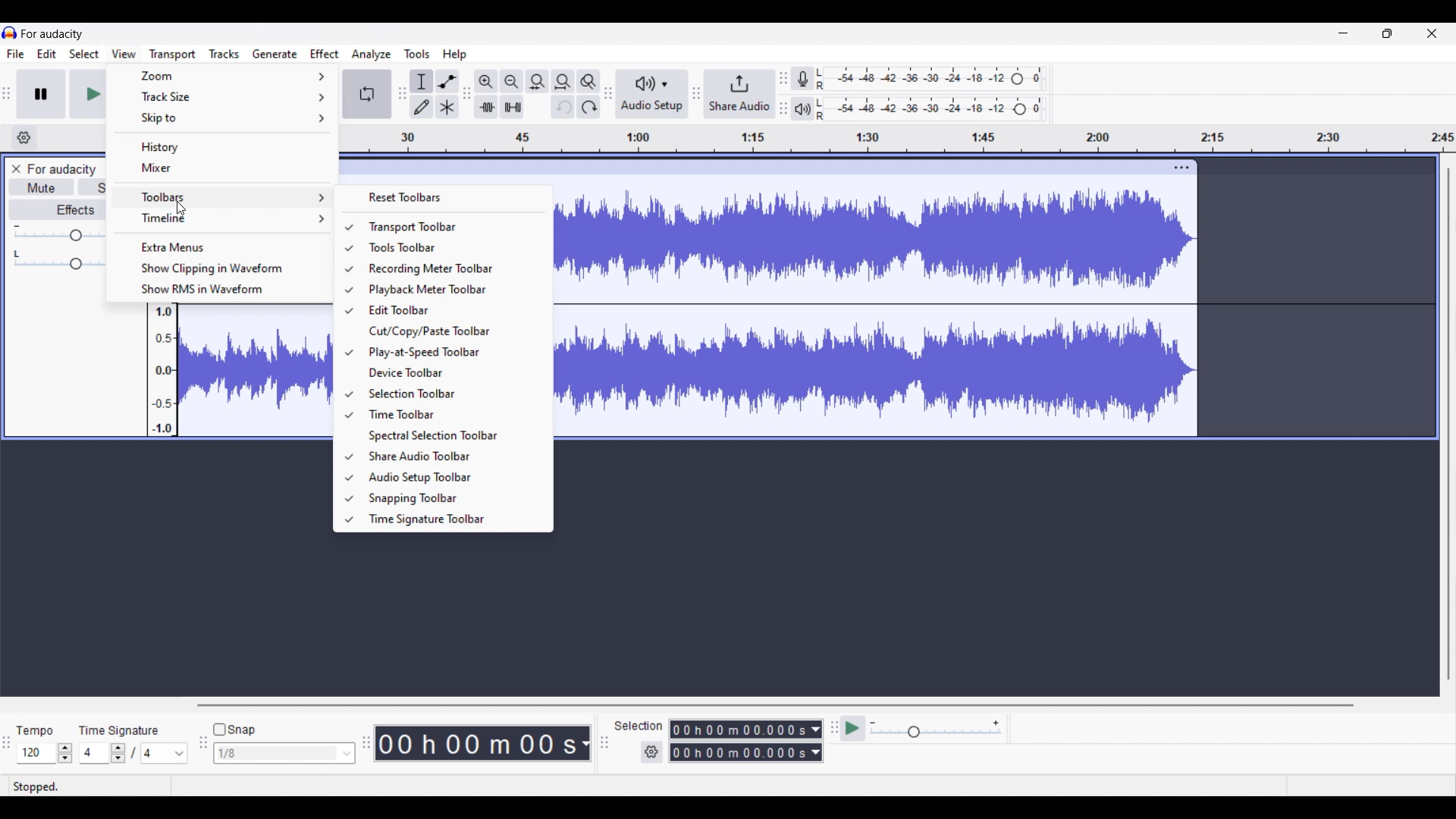  What do you see at coordinates (588, 82) in the screenshot?
I see `Zoom toggle` at bounding box center [588, 82].